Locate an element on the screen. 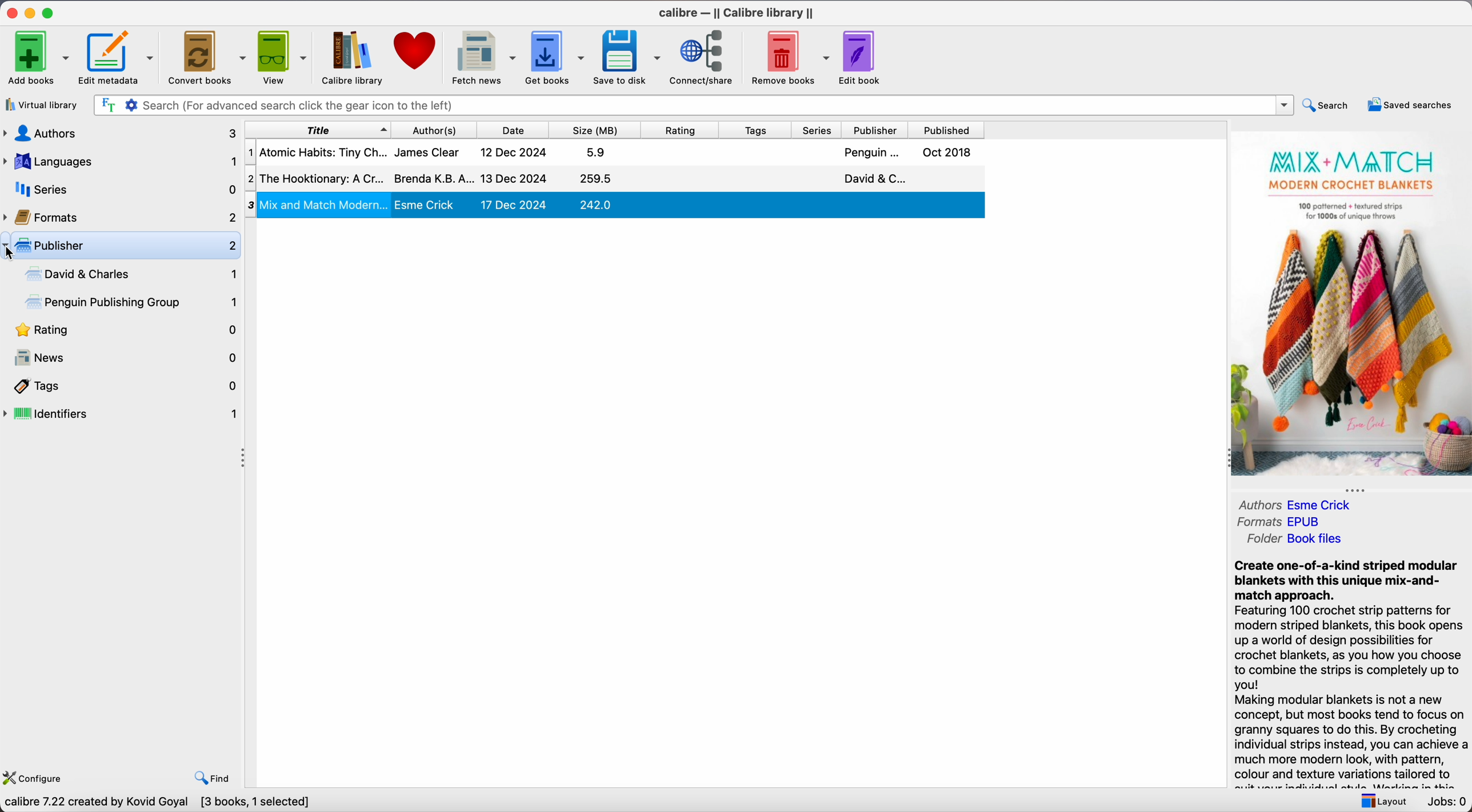 Image resolution: width=1472 pixels, height=812 pixels. click on publicher options is located at coordinates (124, 246).